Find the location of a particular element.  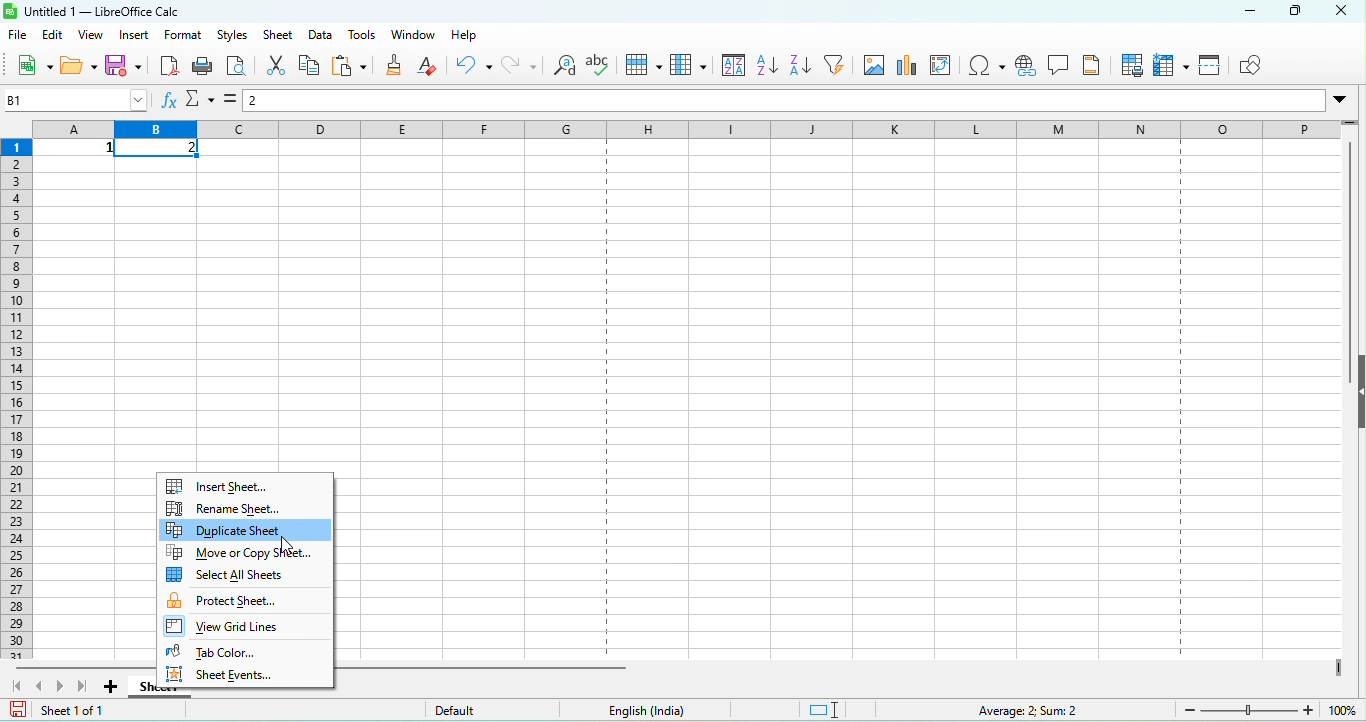

formula bar is located at coordinates (803, 100).